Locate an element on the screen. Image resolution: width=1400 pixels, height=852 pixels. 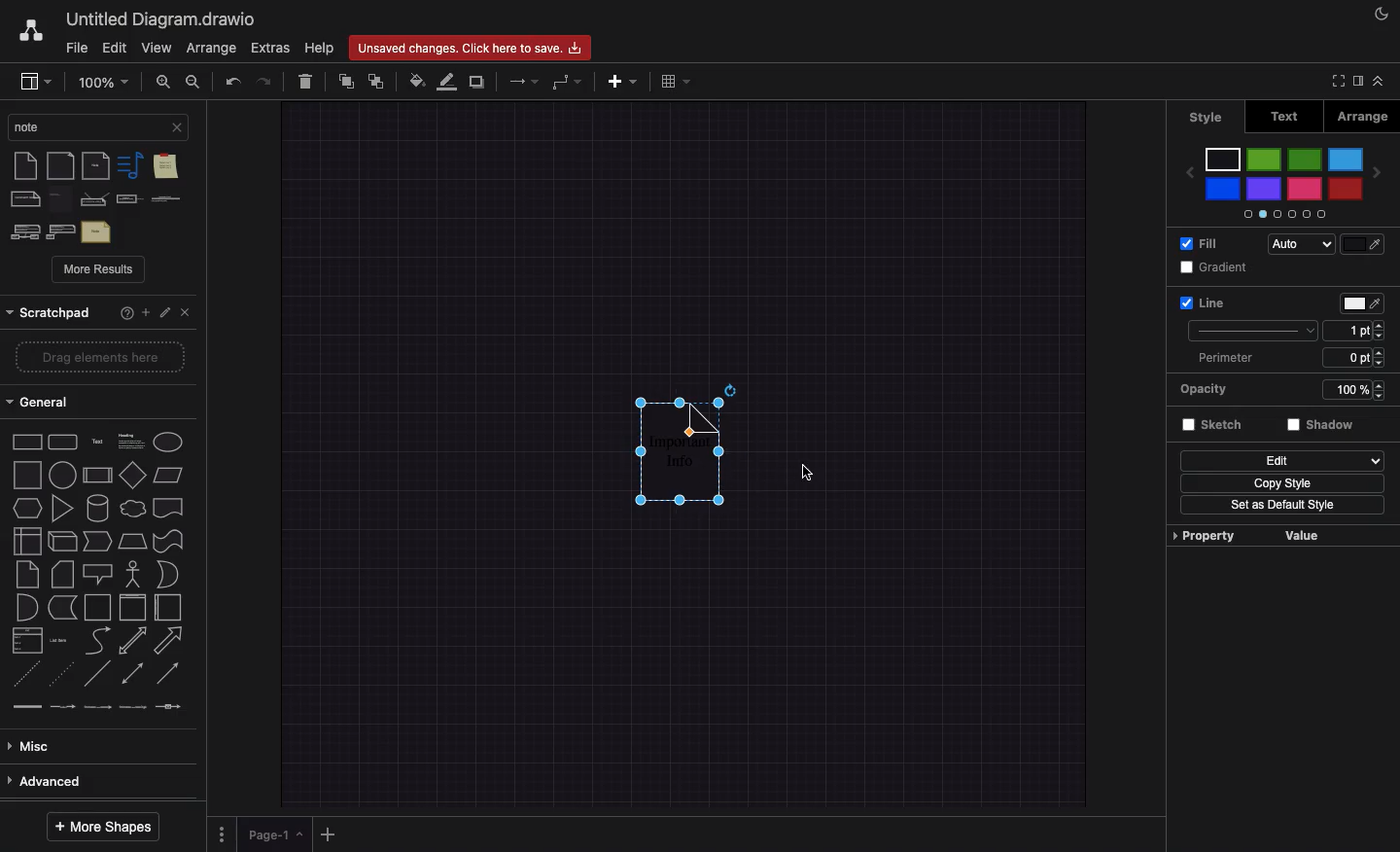
text is located at coordinates (96, 231).